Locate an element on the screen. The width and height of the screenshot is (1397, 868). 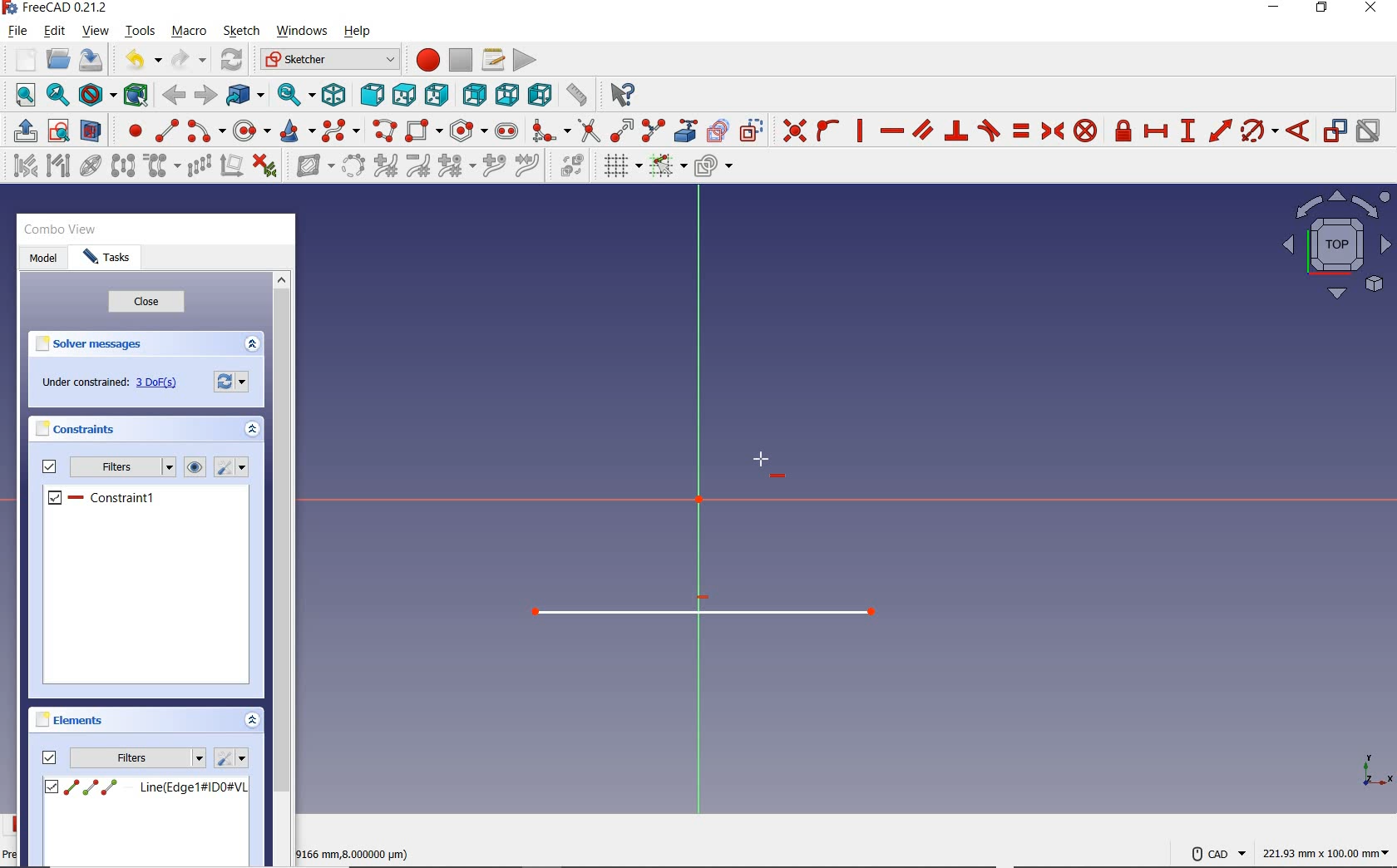
REAR is located at coordinates (472, 96).